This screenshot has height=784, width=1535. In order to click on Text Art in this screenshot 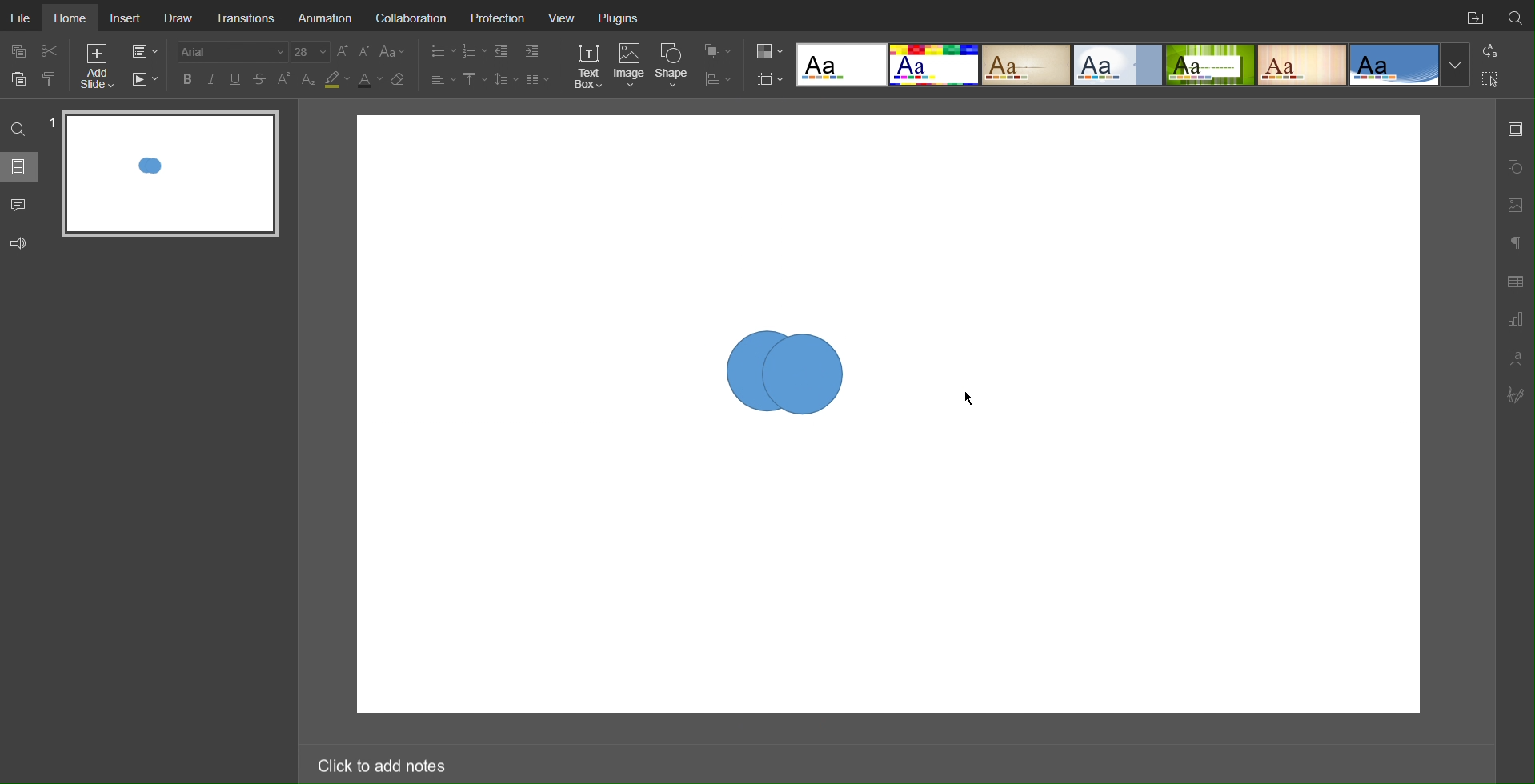, I will do `click(1515, 357)`.